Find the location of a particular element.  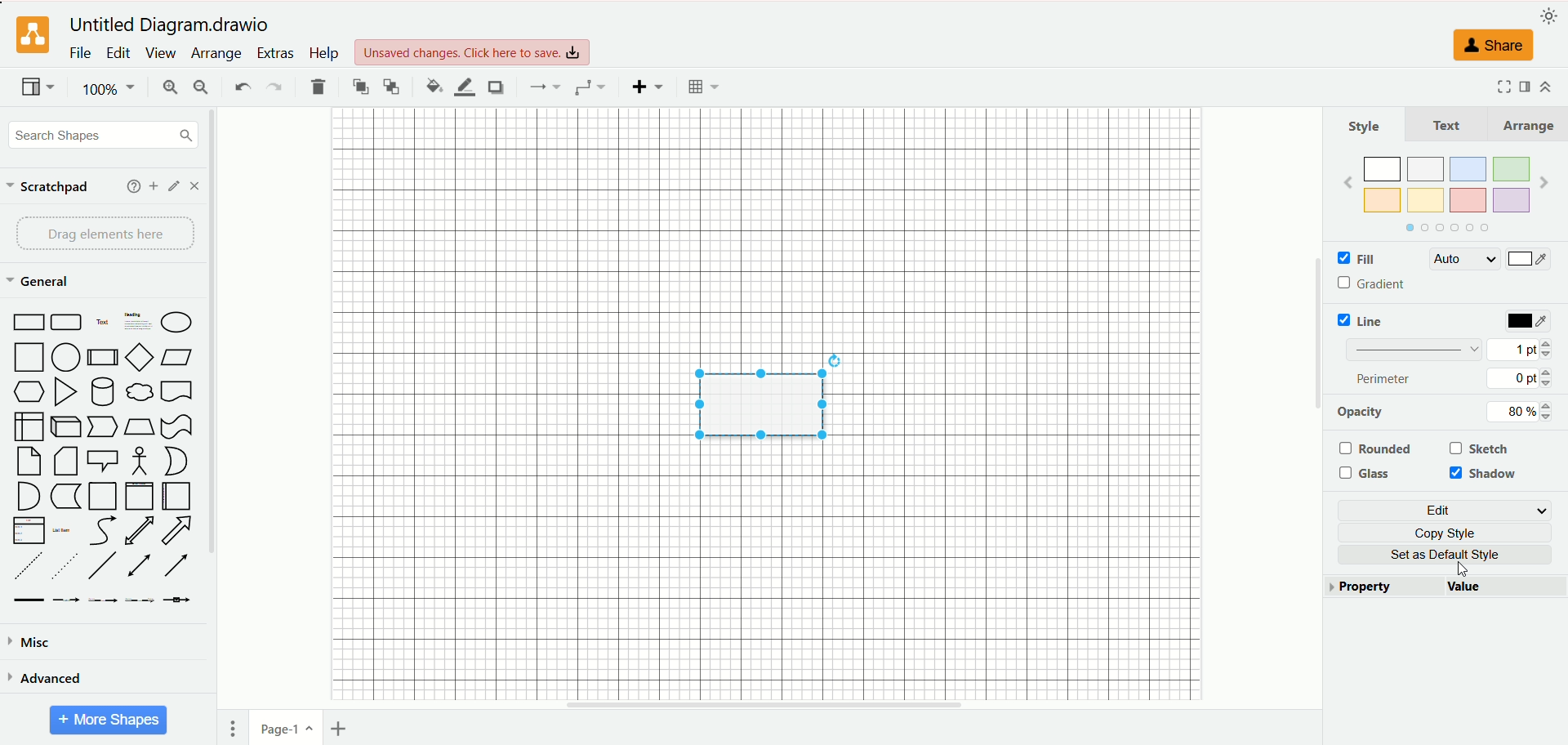

gradient is located at coordinates (1374, 284).